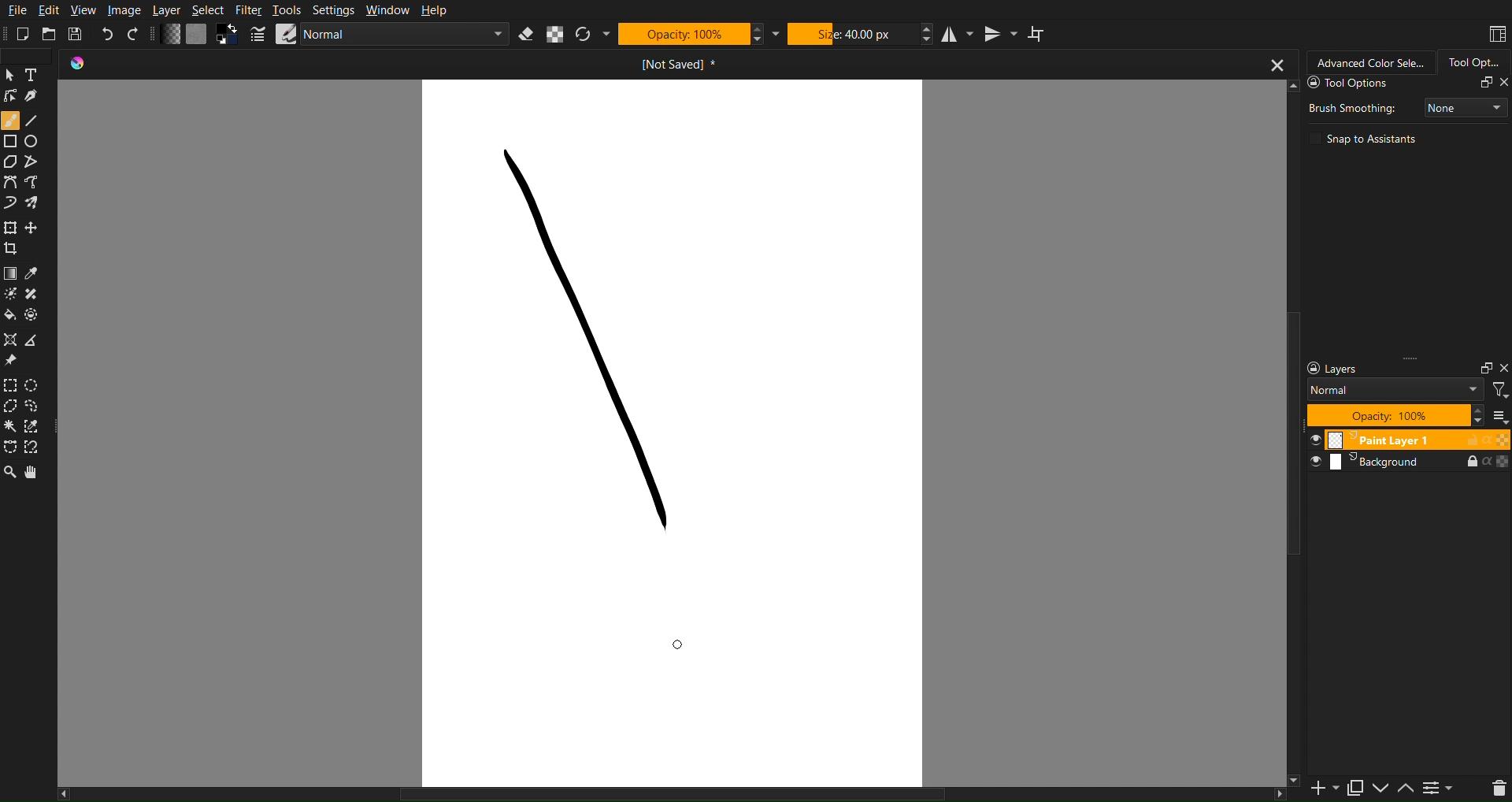 This screenshot has height=802, width=1512. Describe the element at coordinates (35, 227) in the screenshot. I see `Free Move` at that location.